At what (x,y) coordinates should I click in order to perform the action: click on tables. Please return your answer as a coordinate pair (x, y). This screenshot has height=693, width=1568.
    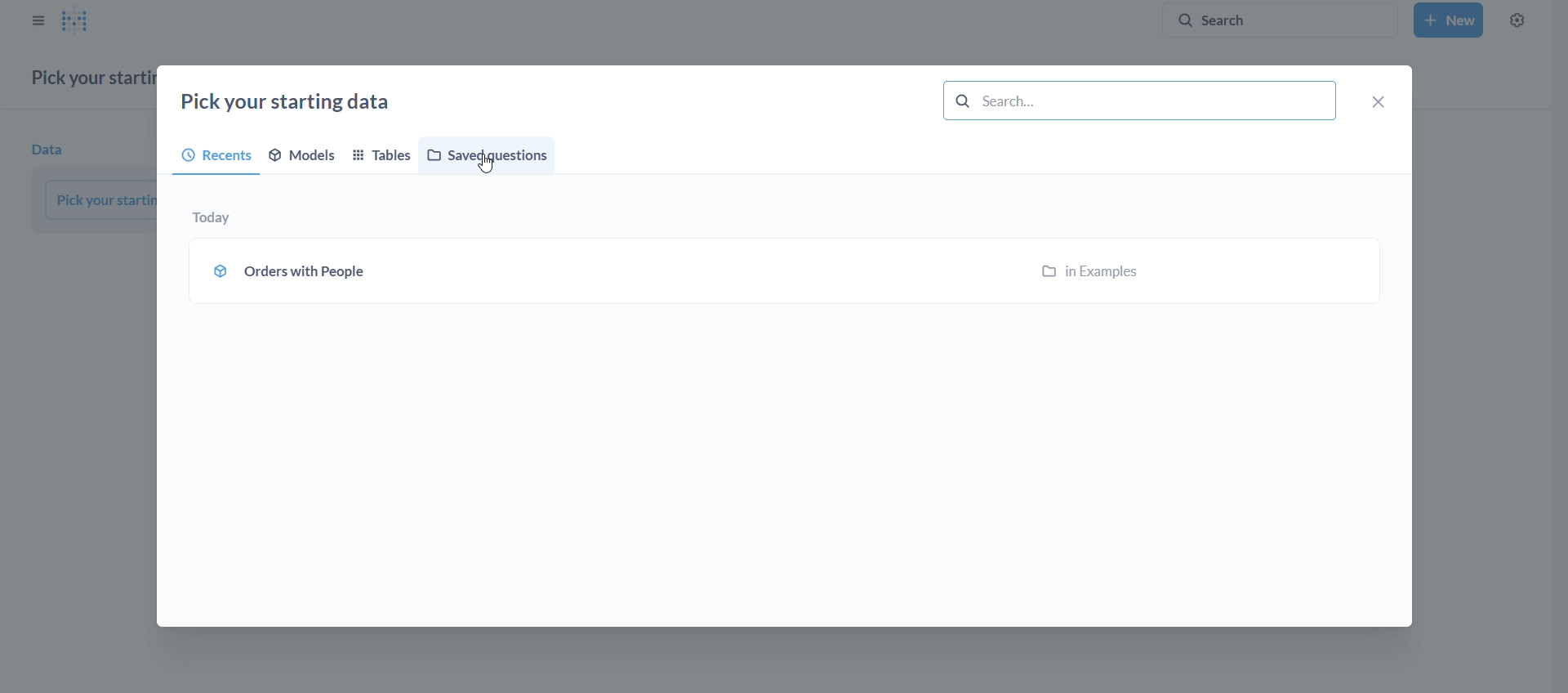
    Looking at the image, I should click on (384, 157).